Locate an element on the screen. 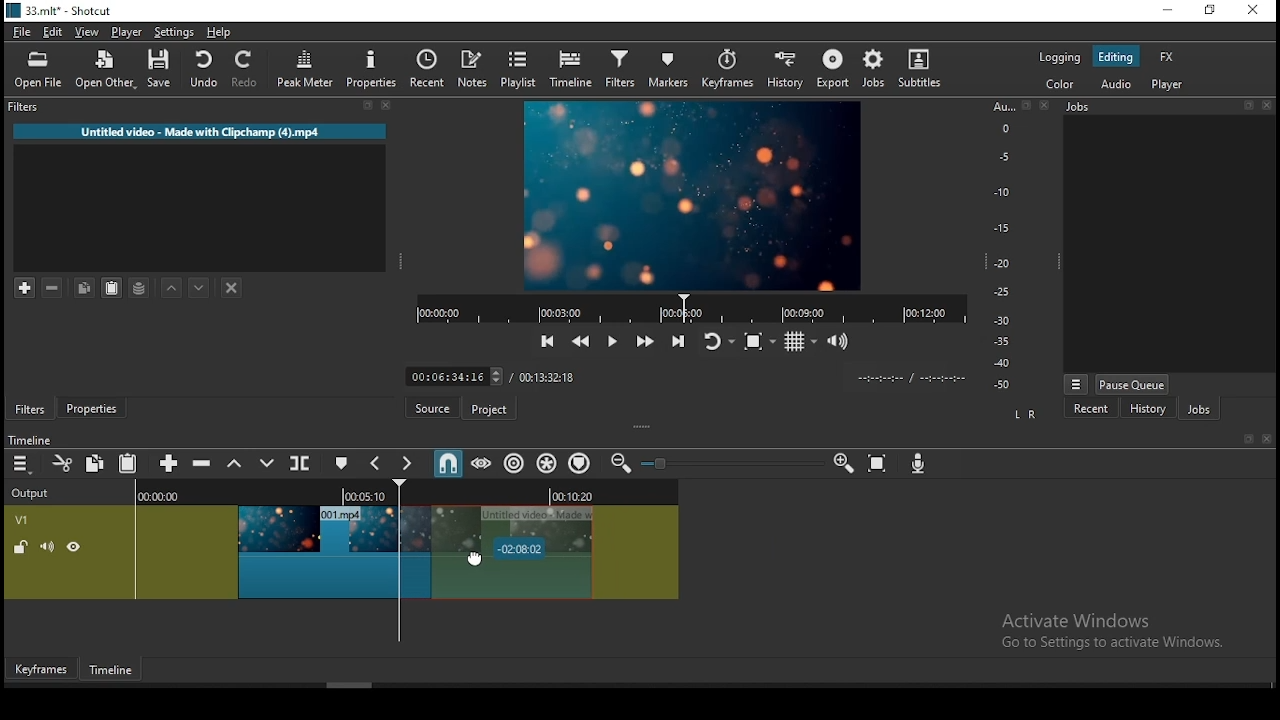 This screenshot has width=1280, height=720. Activate windows is located at coordinates (1122, 630).